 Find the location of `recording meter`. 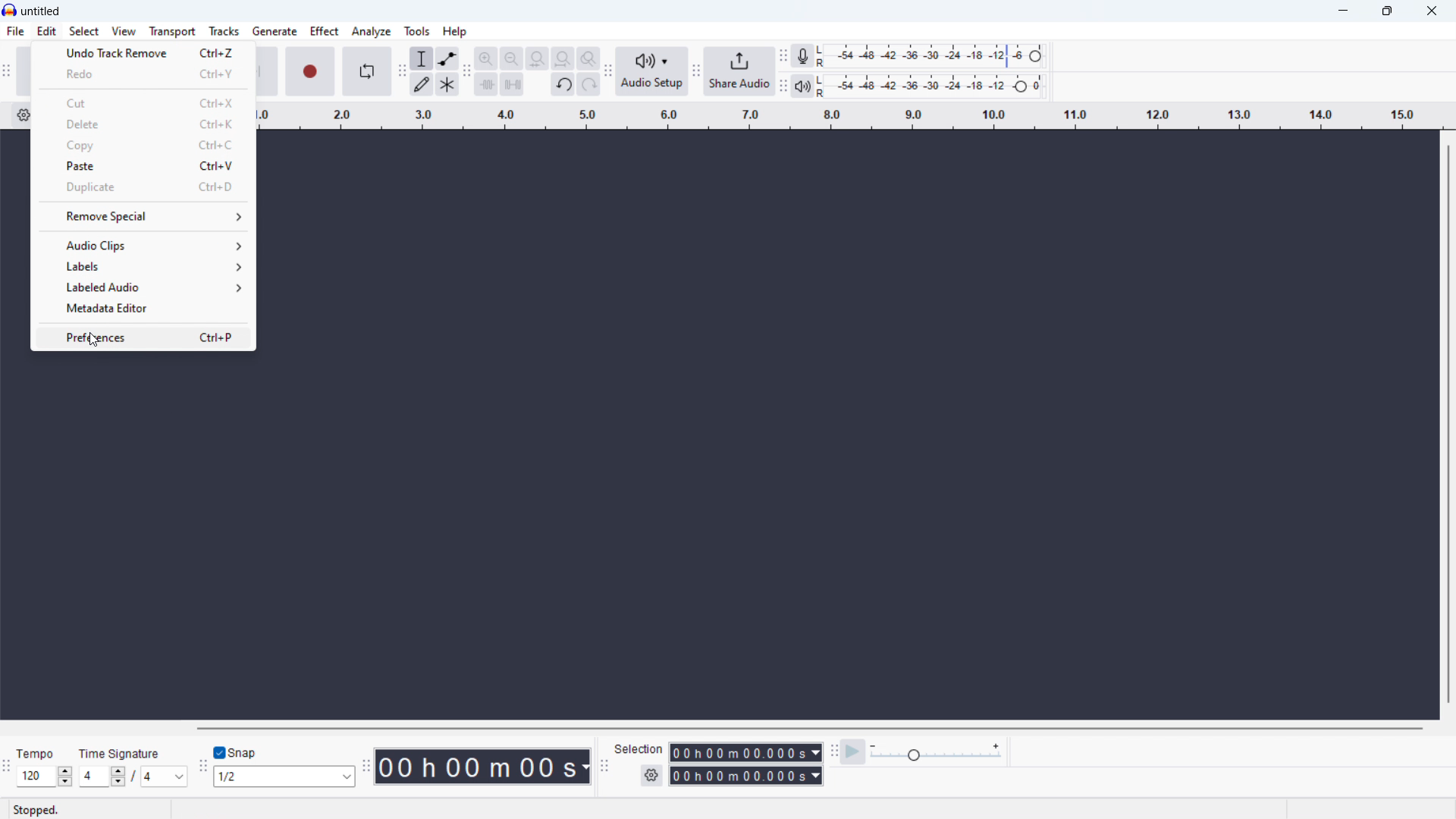

recording meter is located at coordinates (803, 56).